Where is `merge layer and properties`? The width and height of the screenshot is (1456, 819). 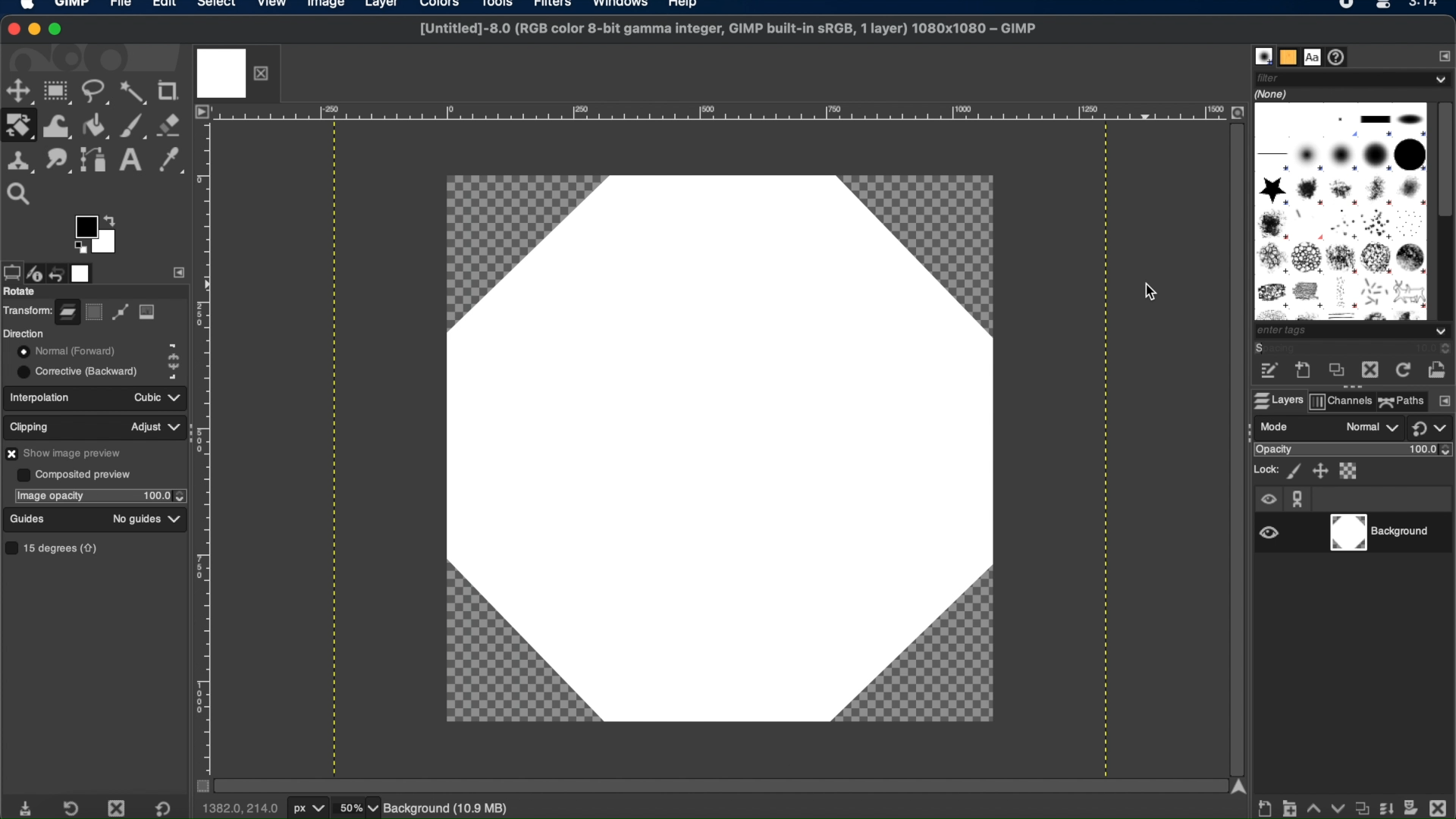
merge layer and properties is located at coordinates (1384, 805).